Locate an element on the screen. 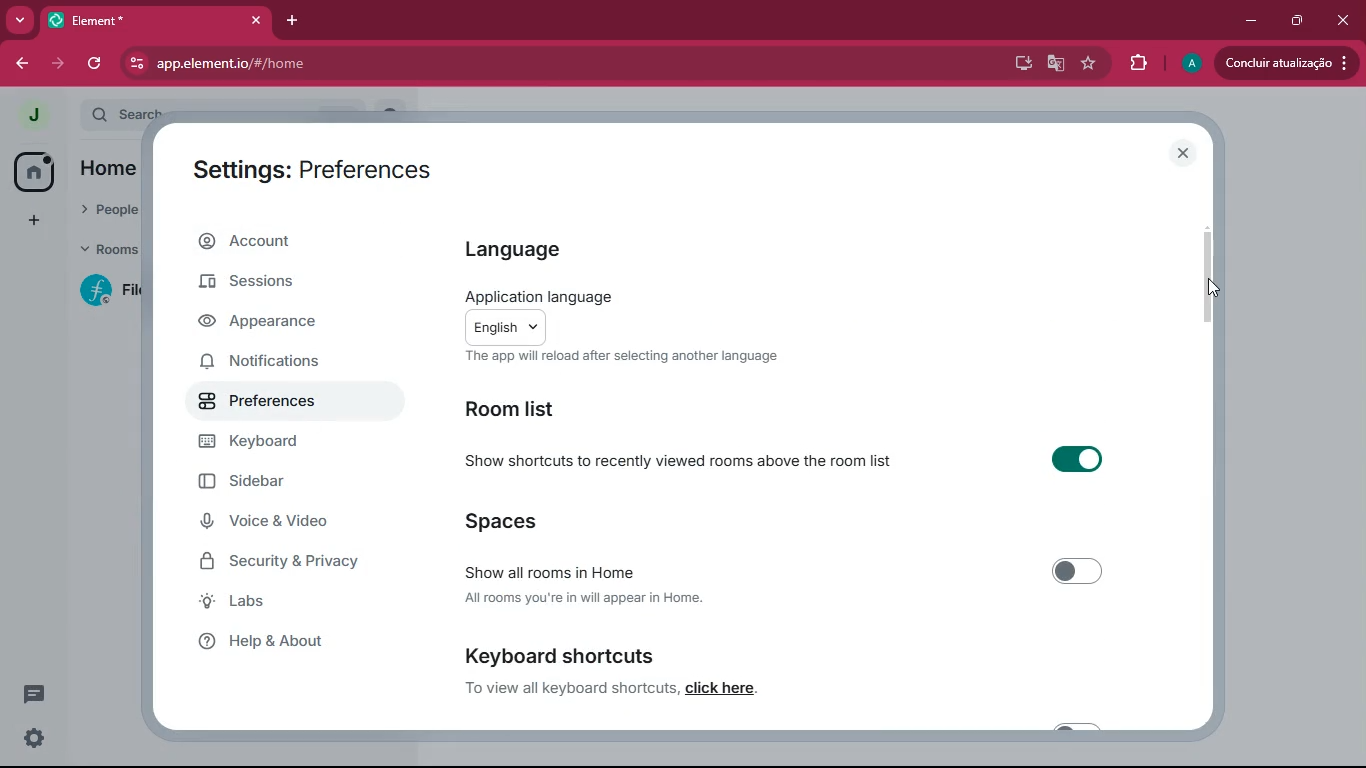 This screenshot has height=768, width=1366. google translate is located at coordinates (1054, 64).